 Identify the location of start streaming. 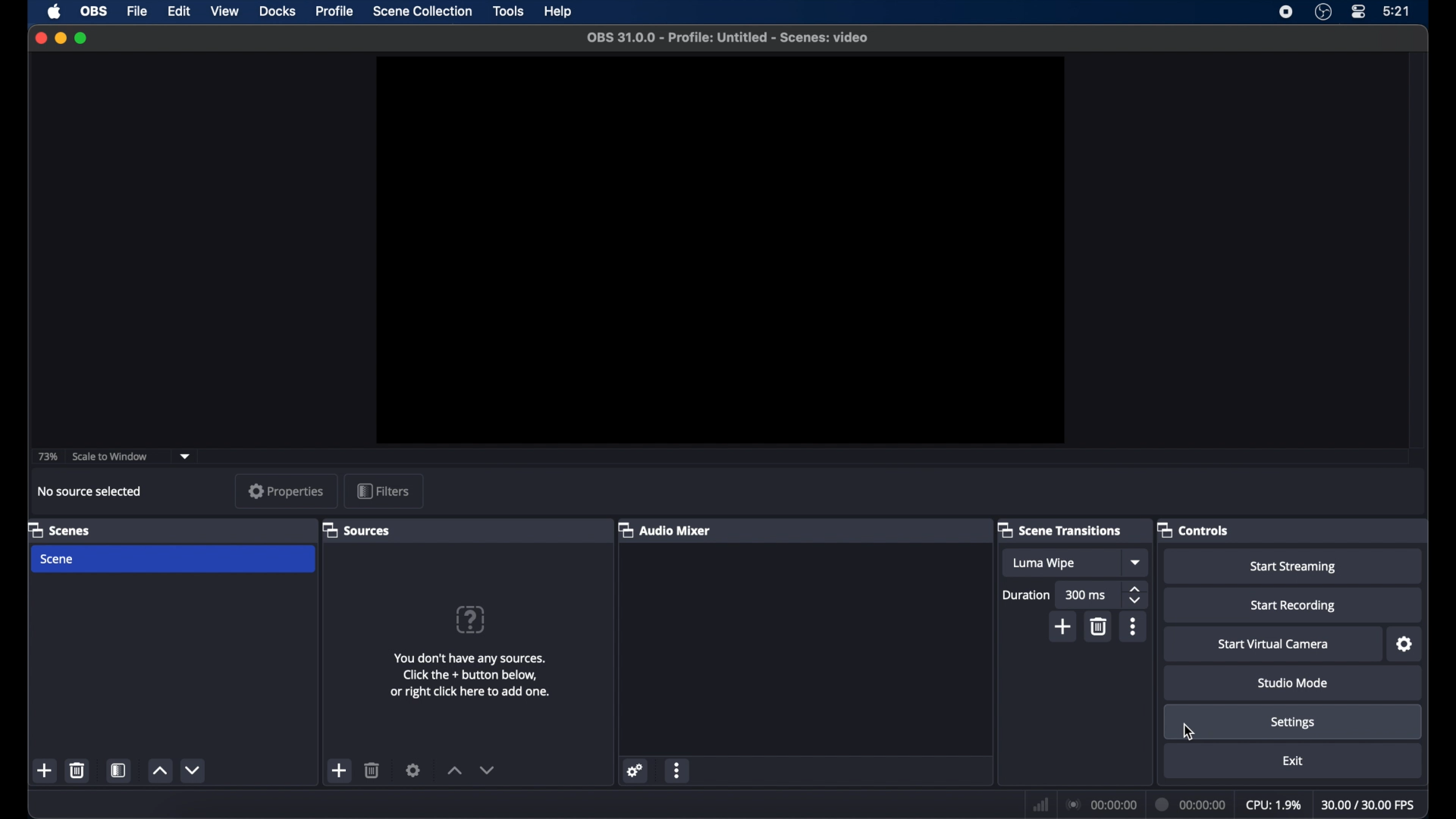
(1297, 567).